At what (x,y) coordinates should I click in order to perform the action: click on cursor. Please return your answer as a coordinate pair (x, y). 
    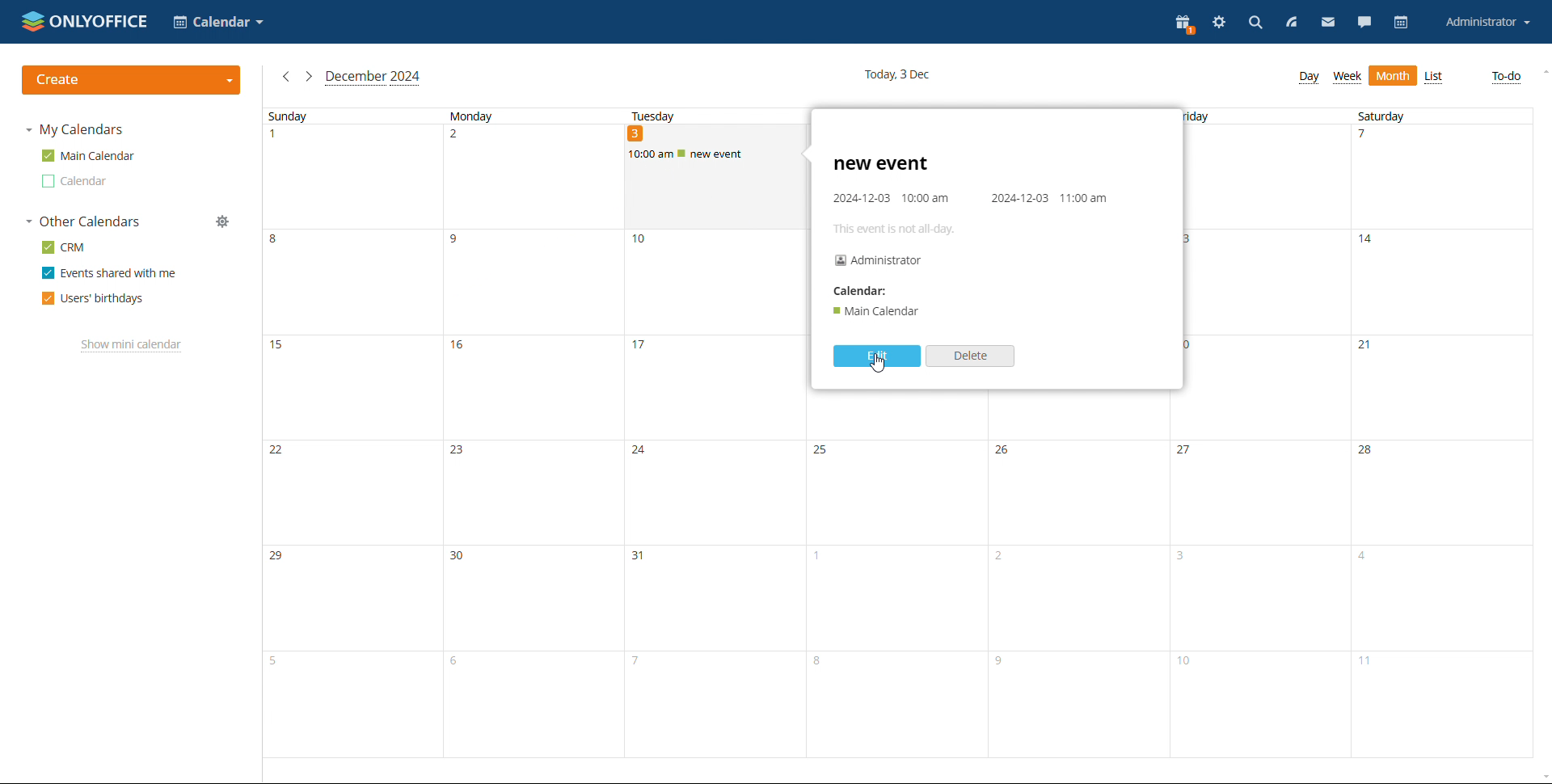
    Looking at the image, I should click on (654, 165).